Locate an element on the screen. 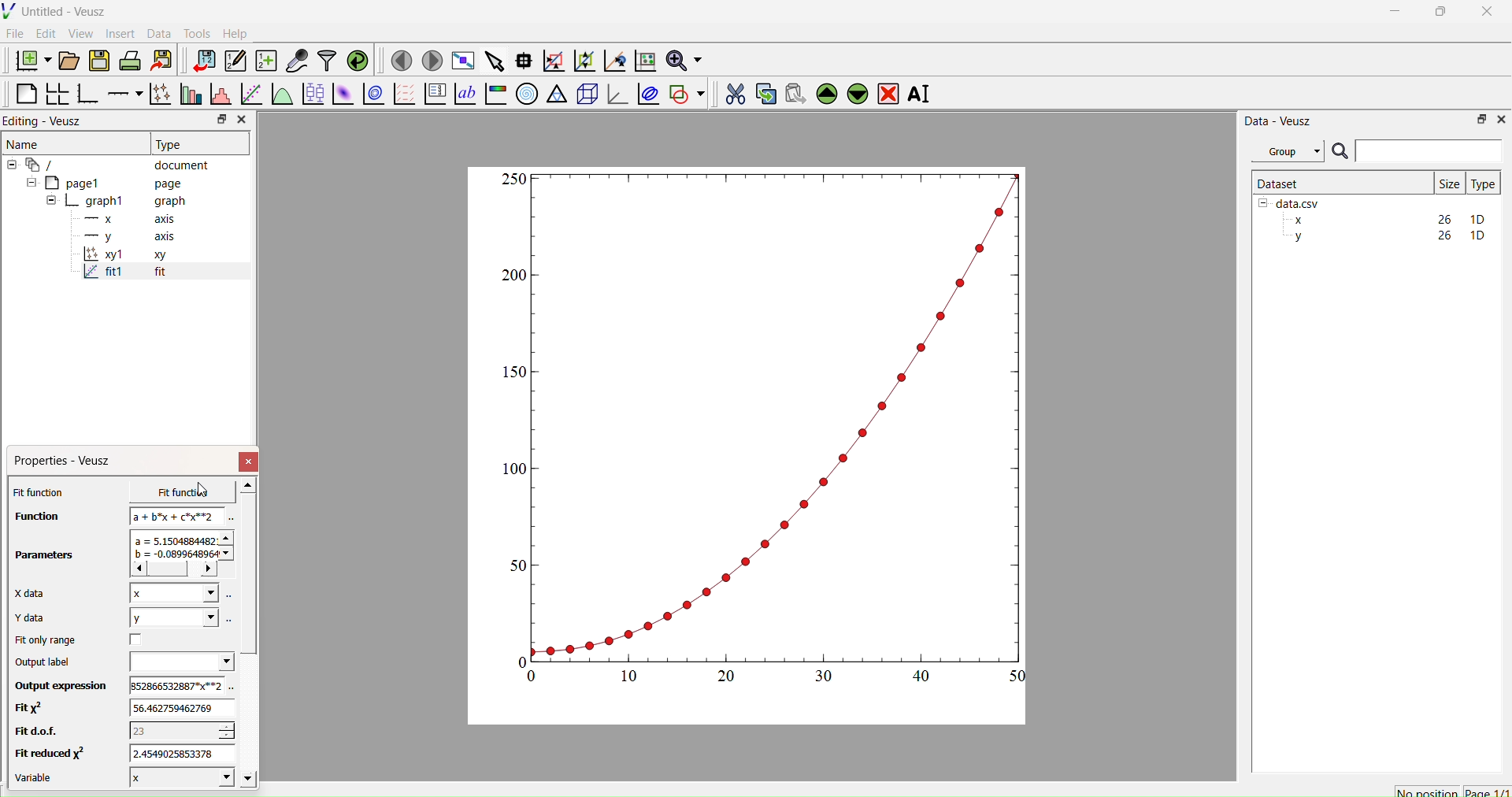 The height and width of the screenshot is (797, 1512). Recenter graph axis is located at coordinates (613, 60).